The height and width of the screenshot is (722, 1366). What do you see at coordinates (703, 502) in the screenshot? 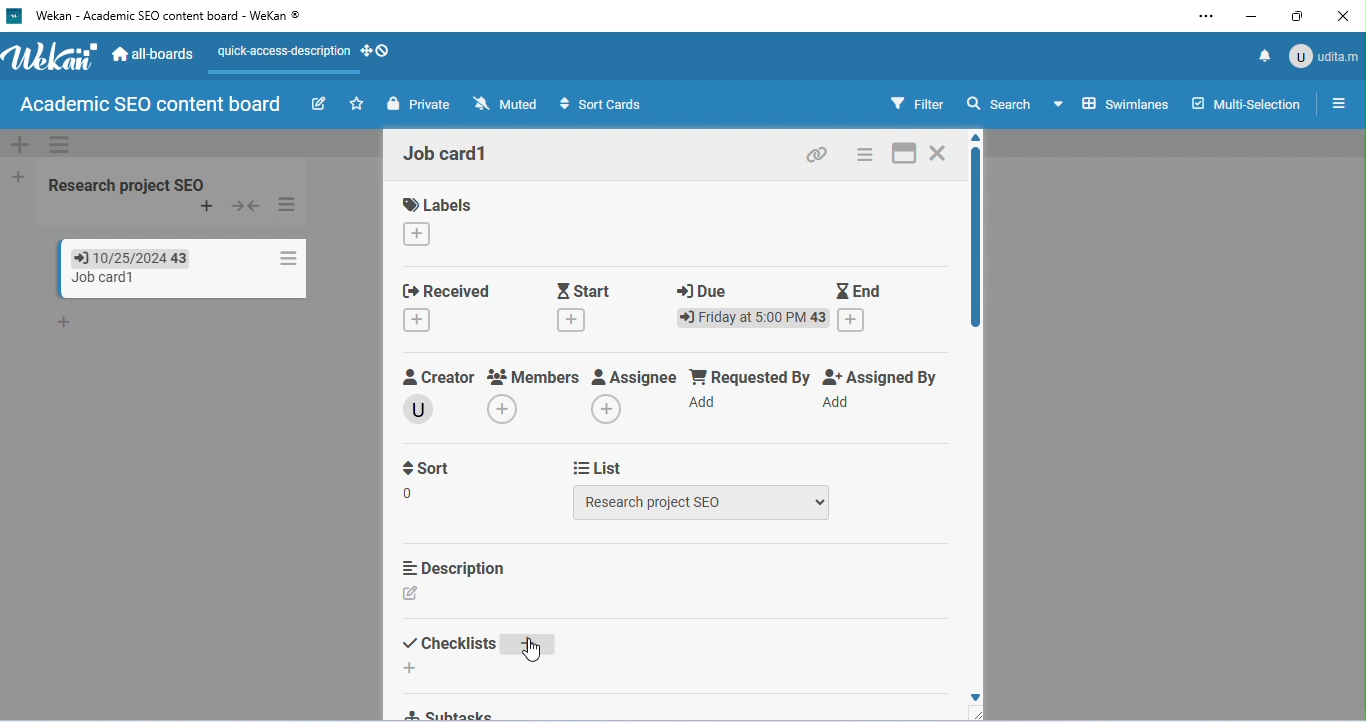
I see `select list` at bounding box center [703, 502].